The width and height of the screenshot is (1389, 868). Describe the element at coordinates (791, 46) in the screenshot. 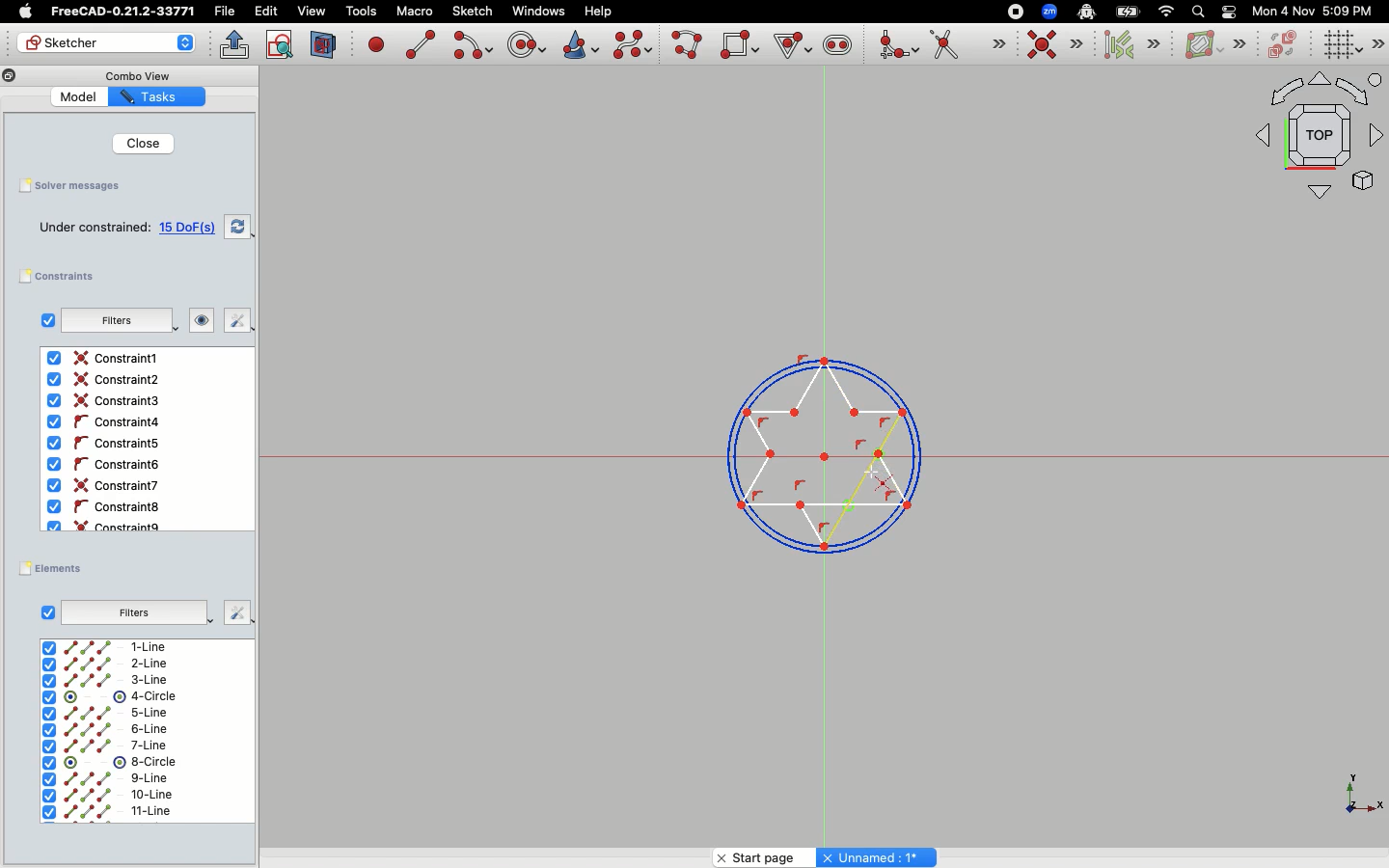

I see `Create Regular Polygon` at that location.